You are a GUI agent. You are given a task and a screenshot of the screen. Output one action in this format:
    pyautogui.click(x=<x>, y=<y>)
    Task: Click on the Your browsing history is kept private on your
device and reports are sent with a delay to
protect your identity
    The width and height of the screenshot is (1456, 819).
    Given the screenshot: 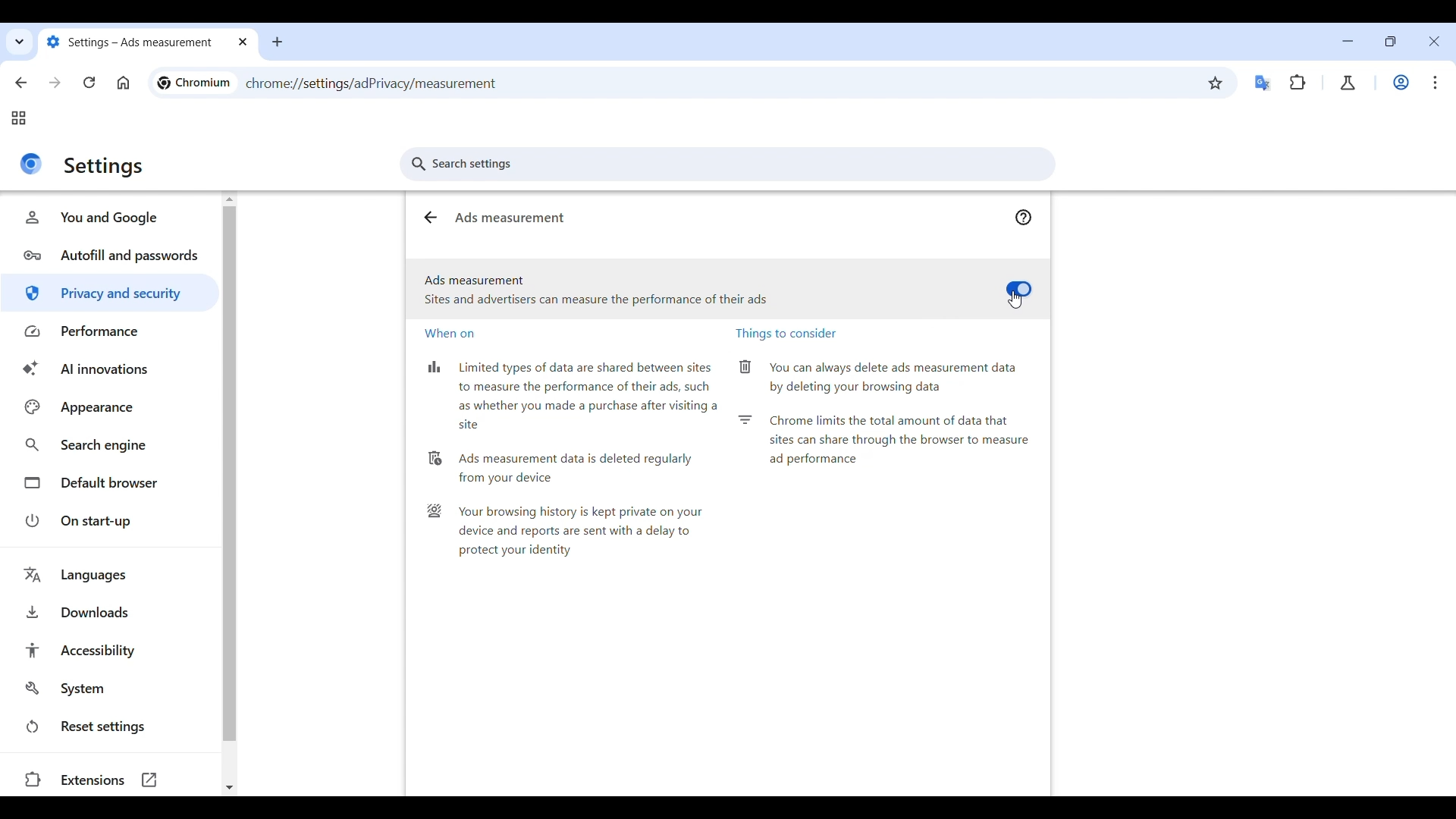 What is the action you would take?
    pyautogui.click(x=564, y=536)
    